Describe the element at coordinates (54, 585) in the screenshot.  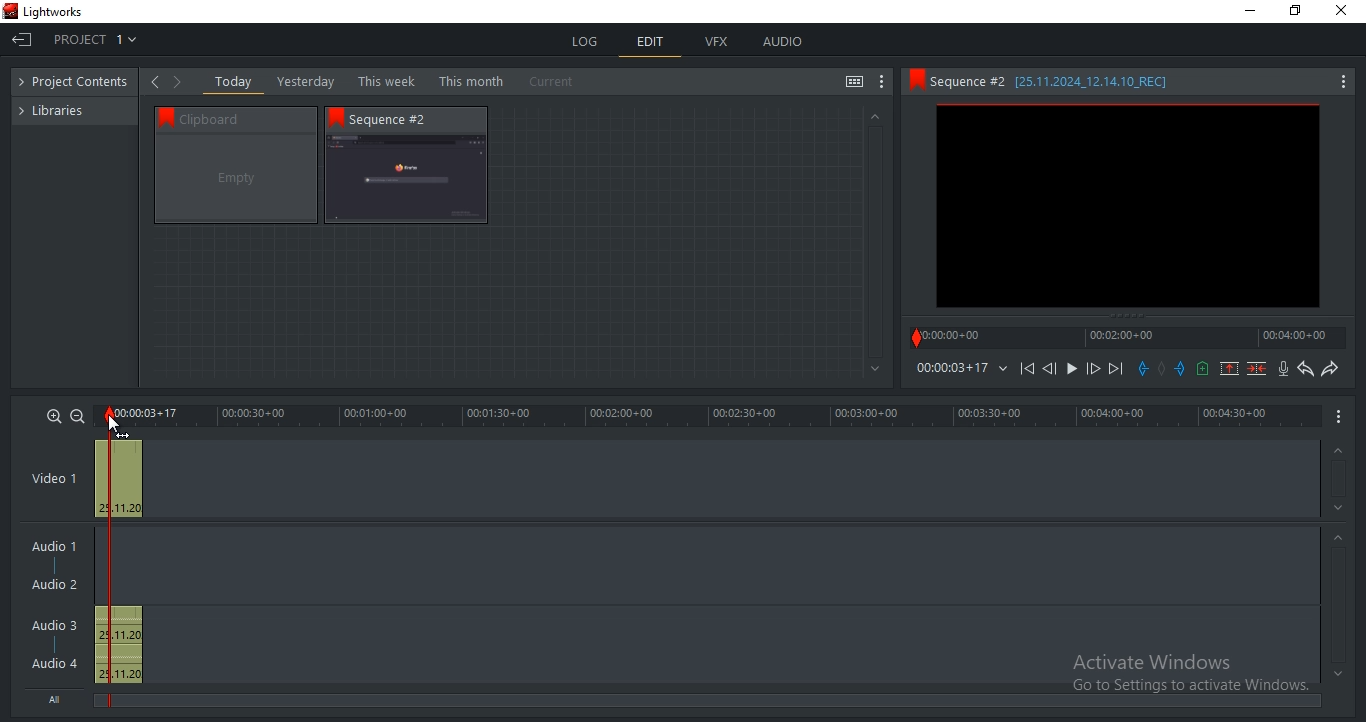
I see `Audio 2` at that location.